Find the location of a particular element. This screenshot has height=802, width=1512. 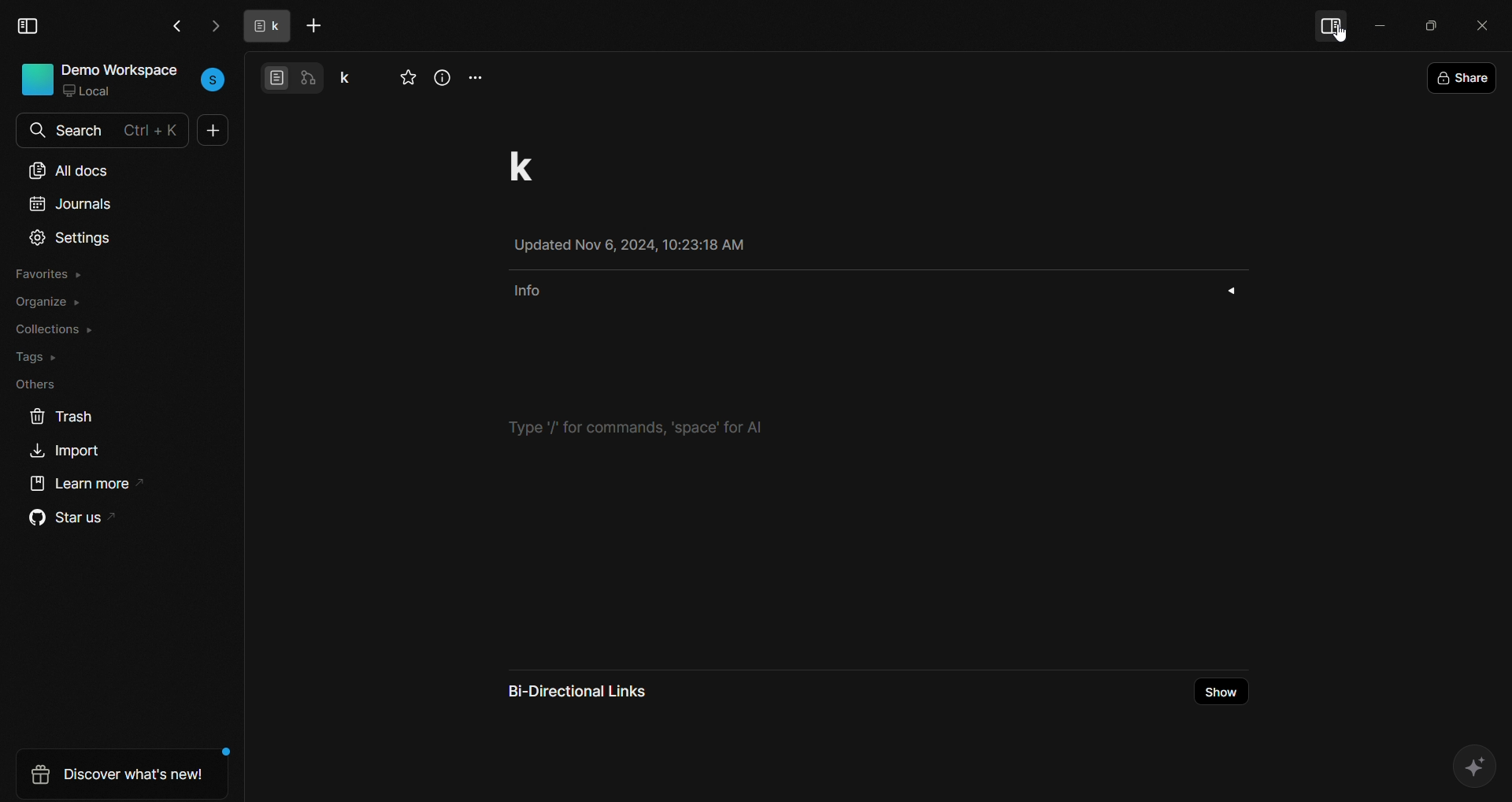

minimize is located at coordinates (1380, 24).